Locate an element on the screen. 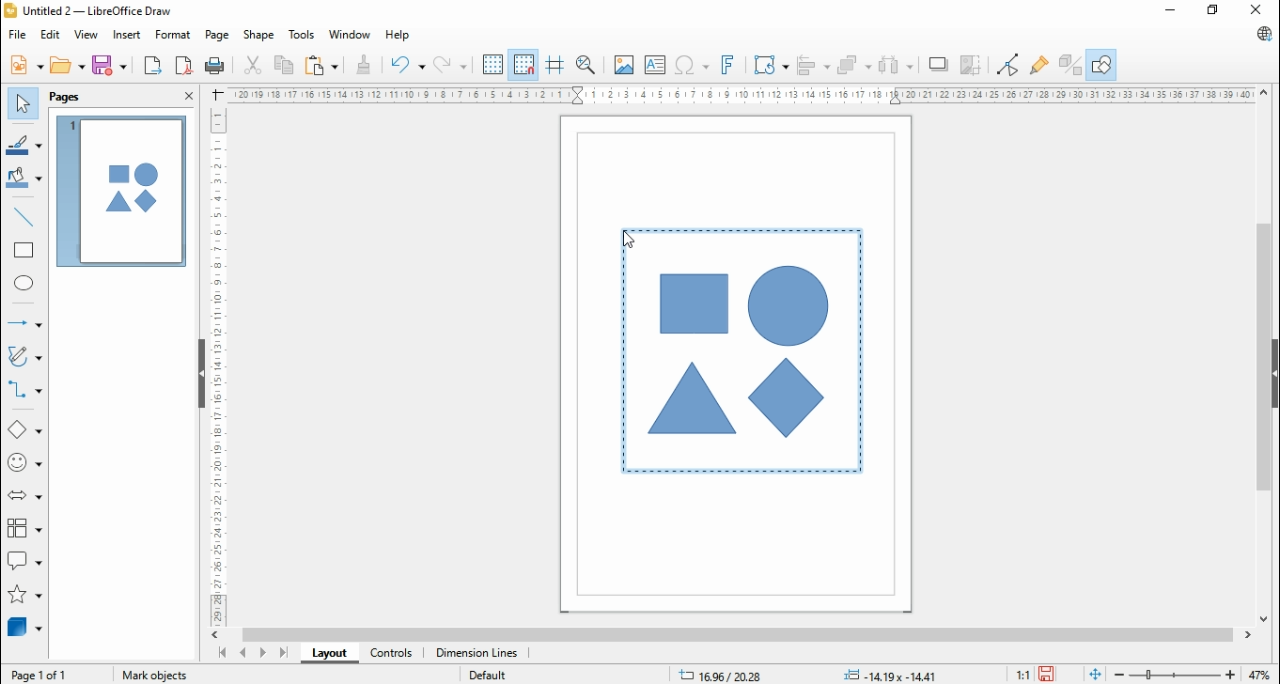 The height and width of the screenshot is (684, 1280). callout shapes is located at coordinates (25, 560).